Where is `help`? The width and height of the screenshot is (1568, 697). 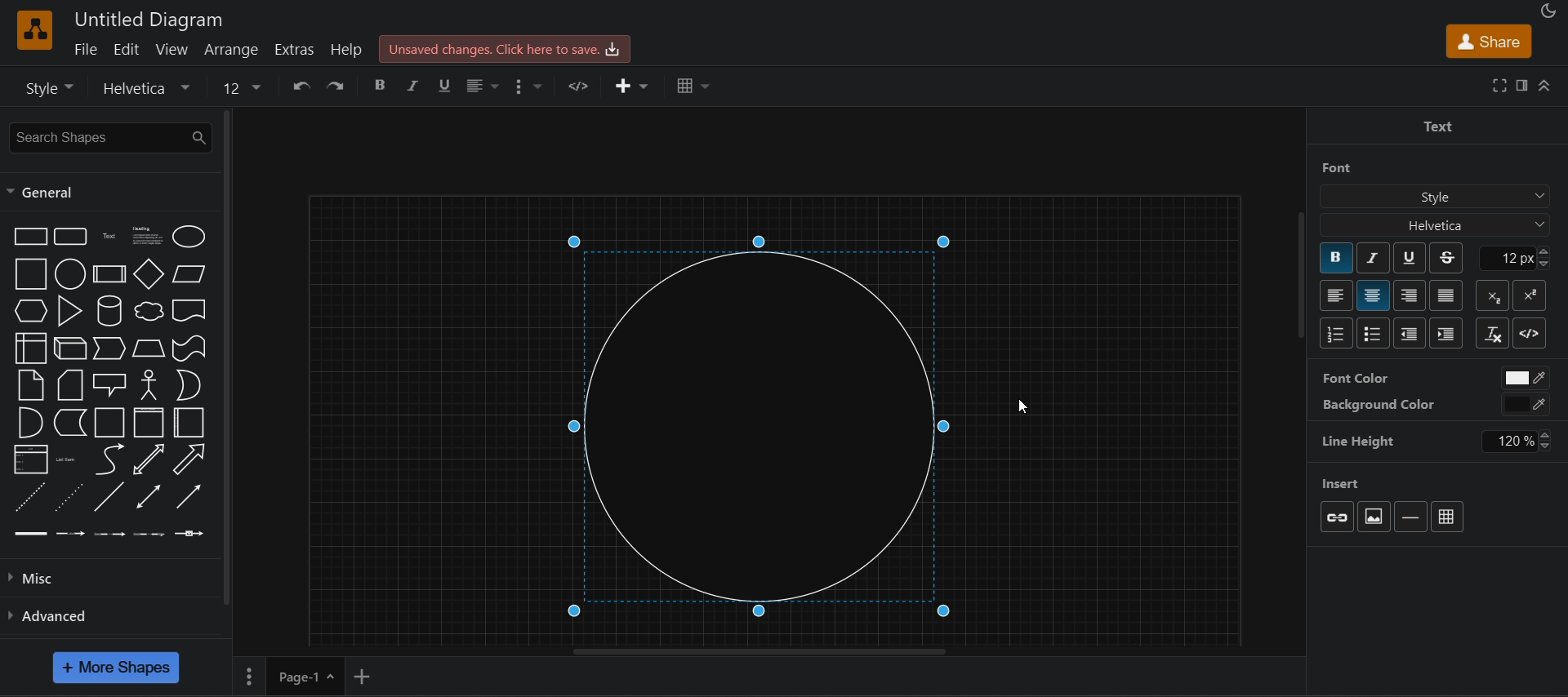
help is located at coordinates (348, 50).